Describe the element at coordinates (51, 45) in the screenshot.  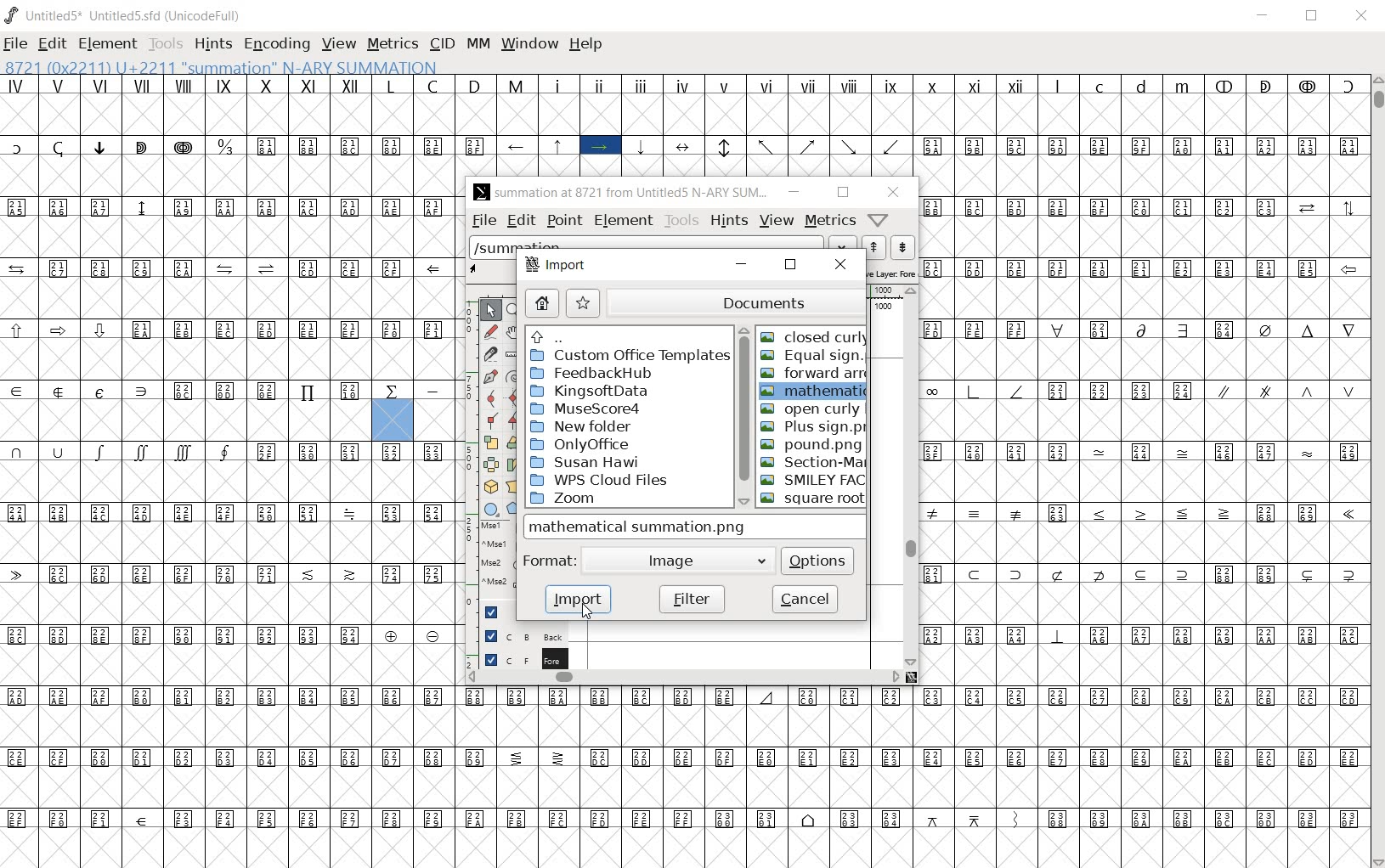
I see `EDIT` at that location.